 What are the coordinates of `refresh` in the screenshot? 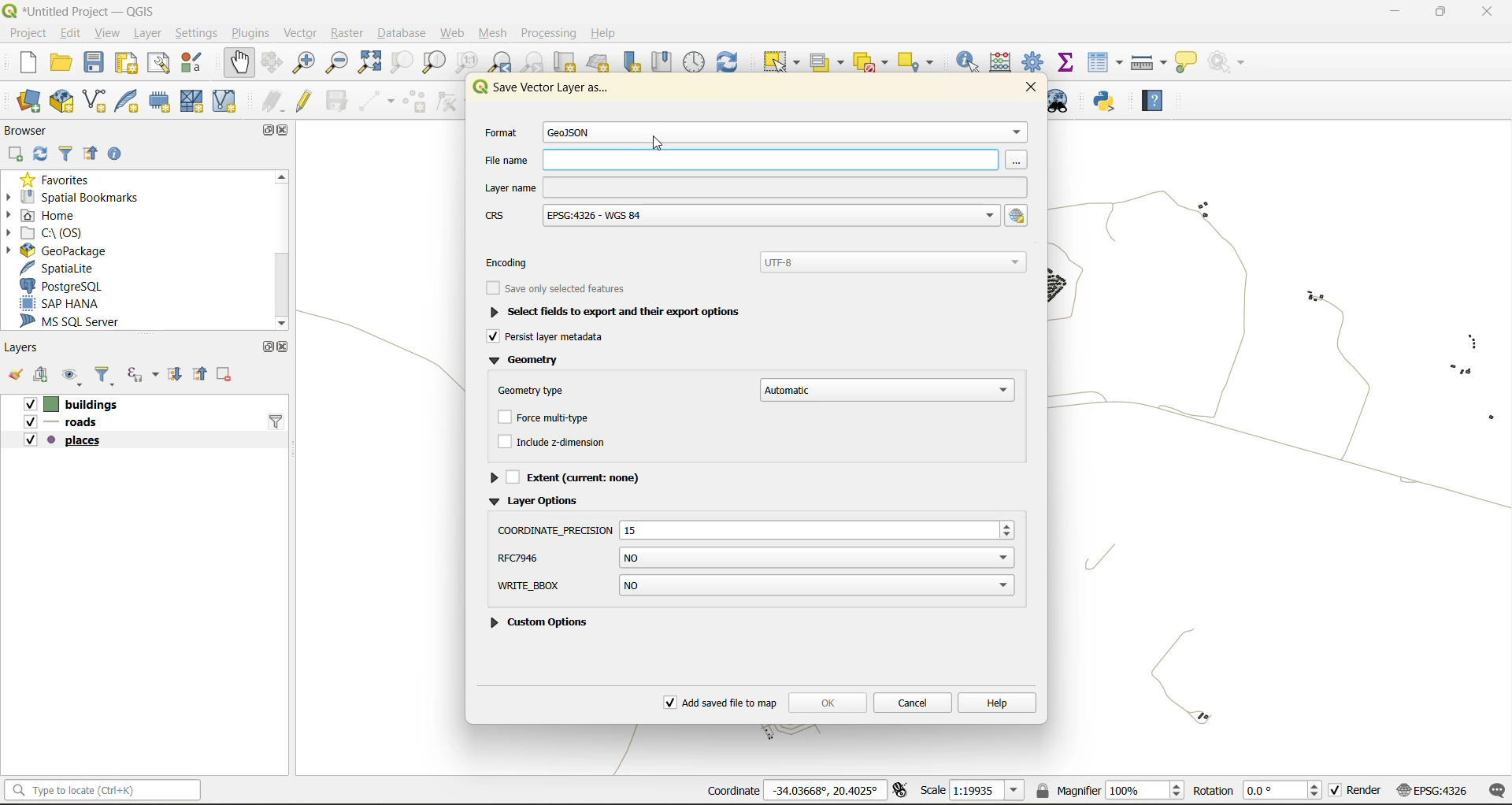 It's located at (43, 153).